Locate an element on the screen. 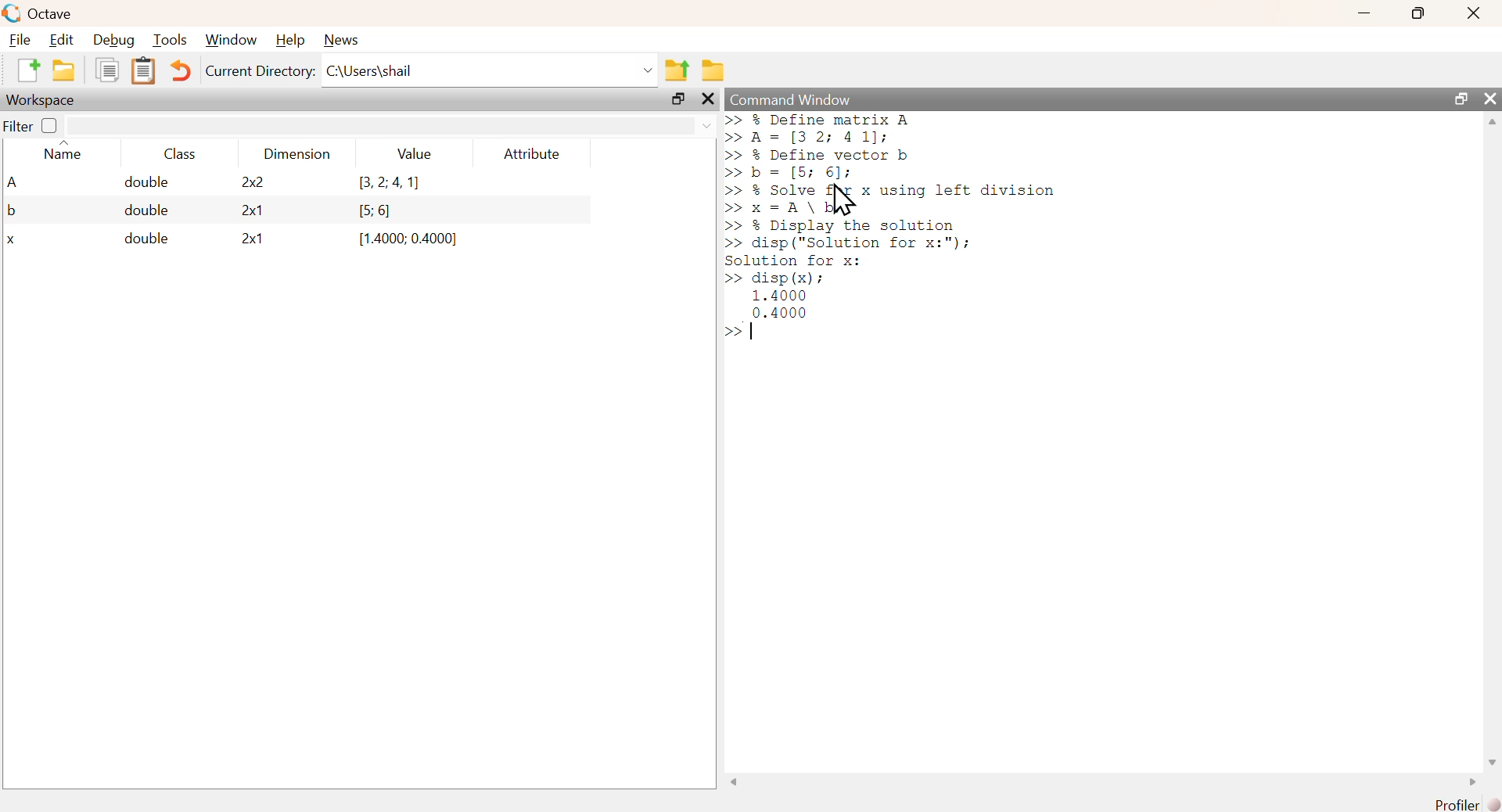 The width and height of the screenshot is (1502, 812). double is located at coordinates (138, 240).